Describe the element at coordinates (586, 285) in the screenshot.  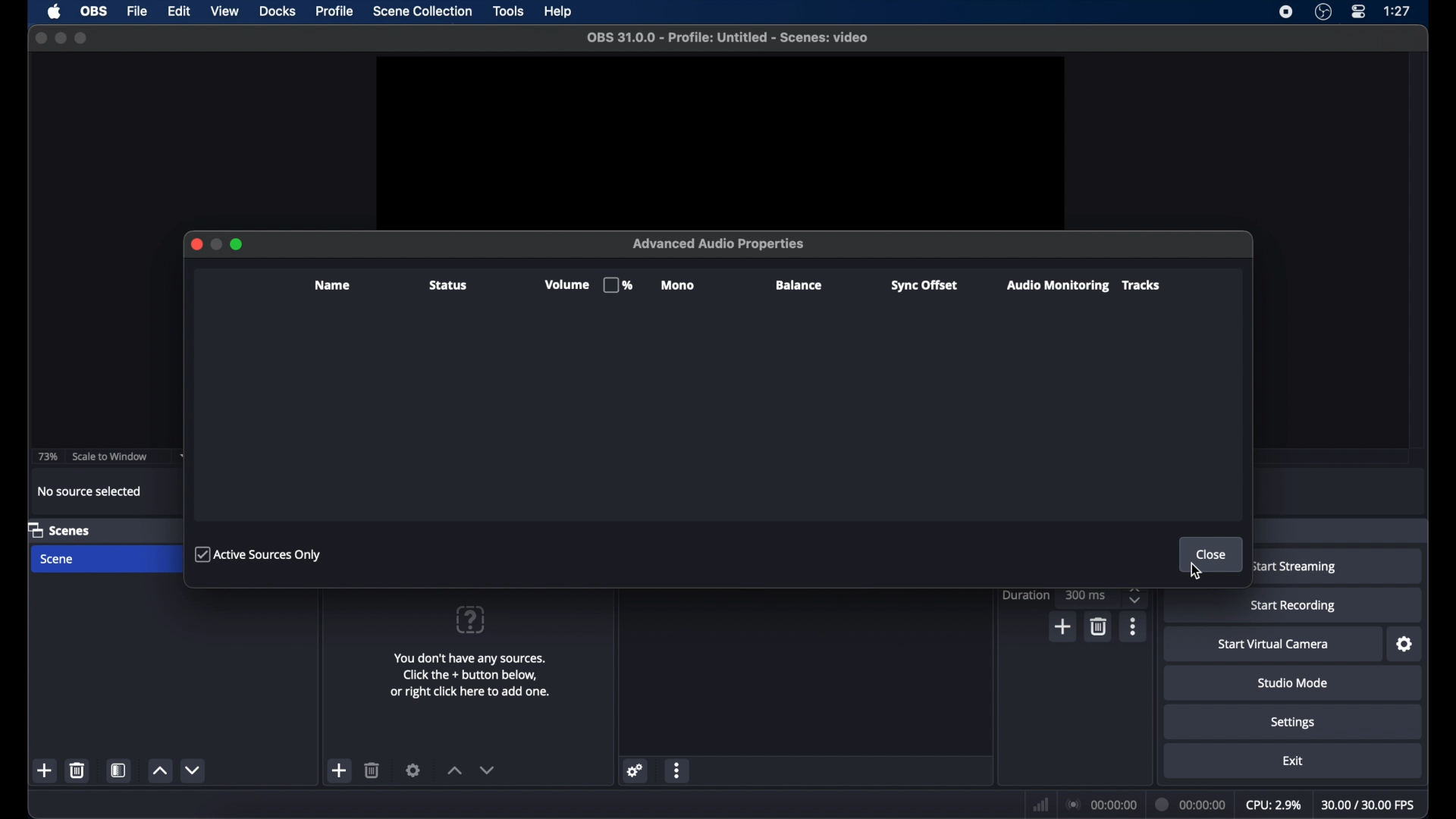
I see `volume` at that location.